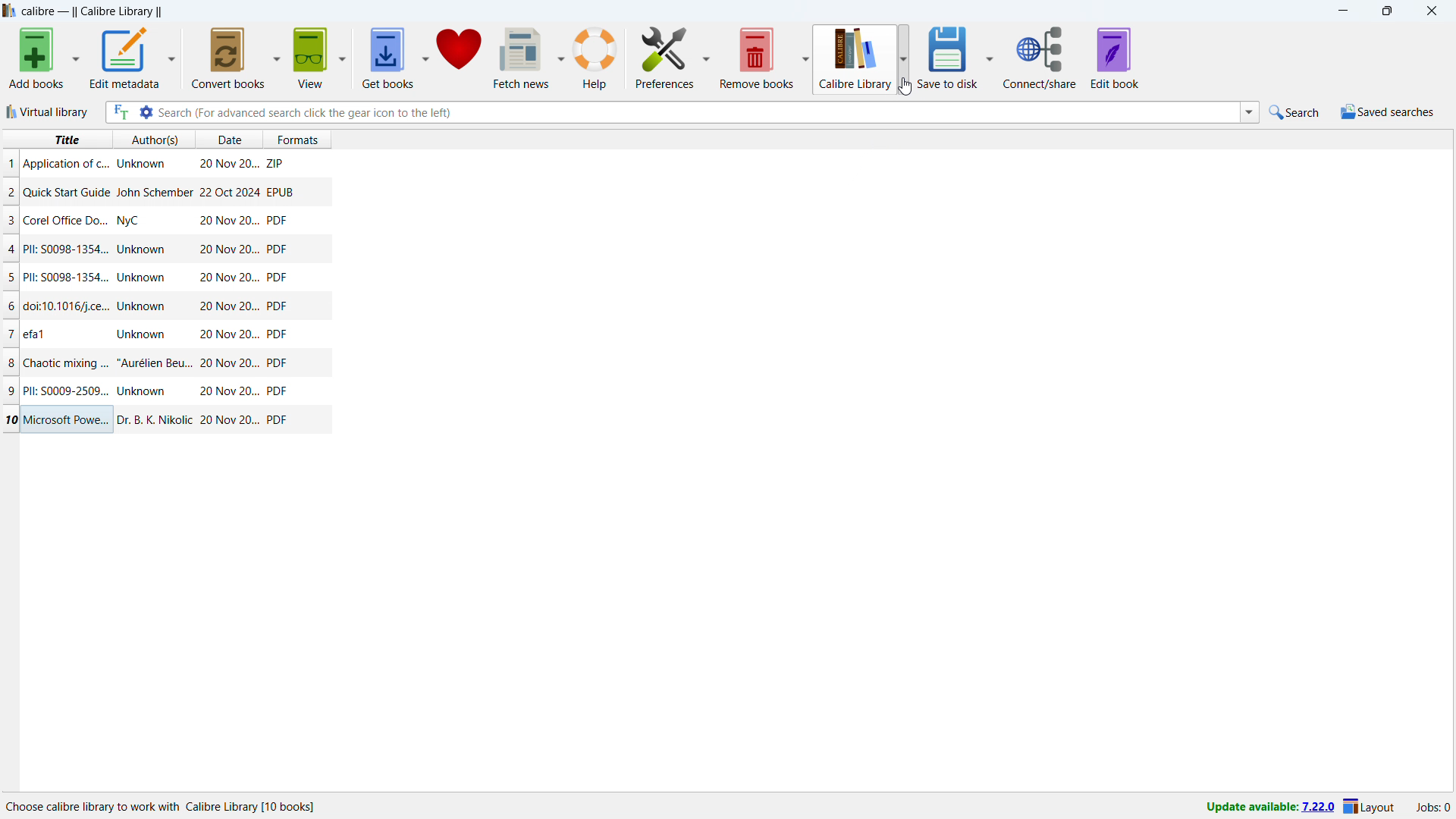  Describe the element at coordinates (131, 222) in the screenshot. I see `Author` at that location.